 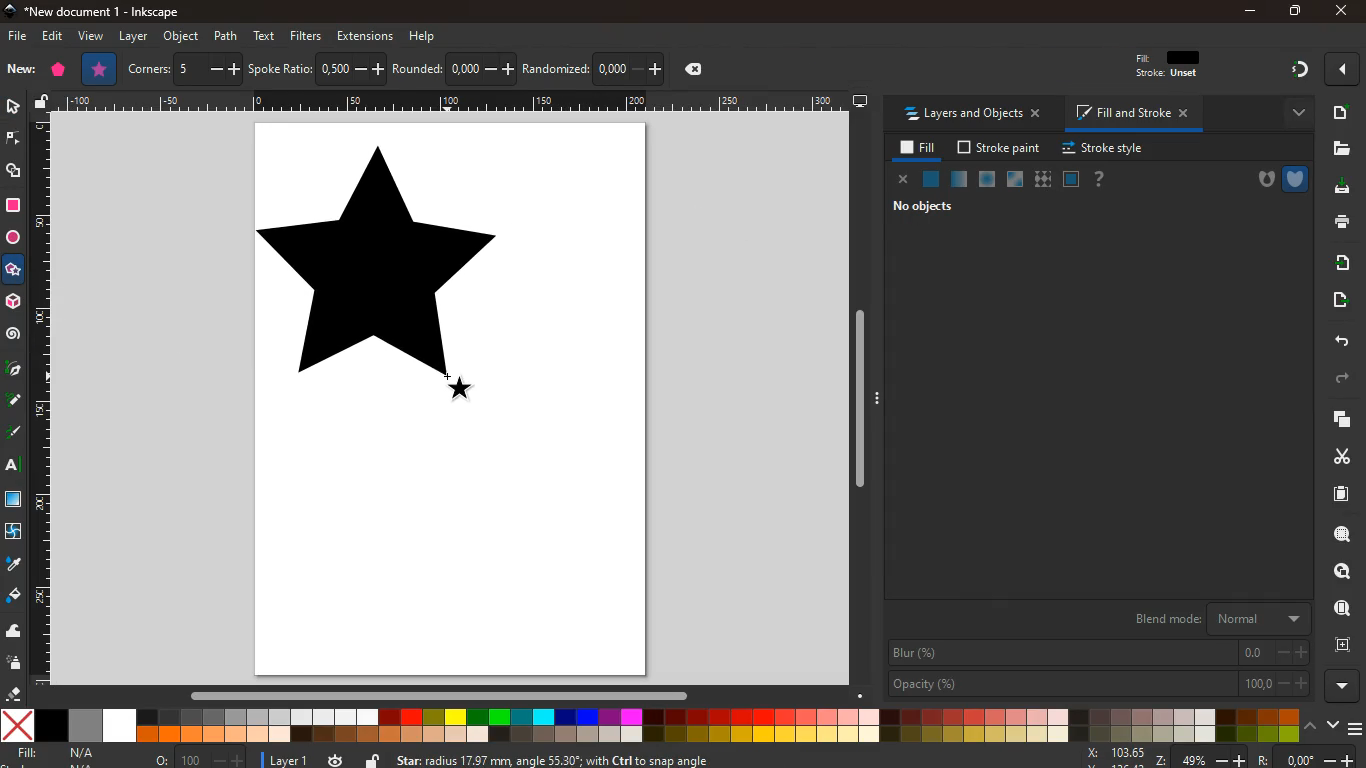 I want to click on stroke paint, so click(x=1000, y=146).